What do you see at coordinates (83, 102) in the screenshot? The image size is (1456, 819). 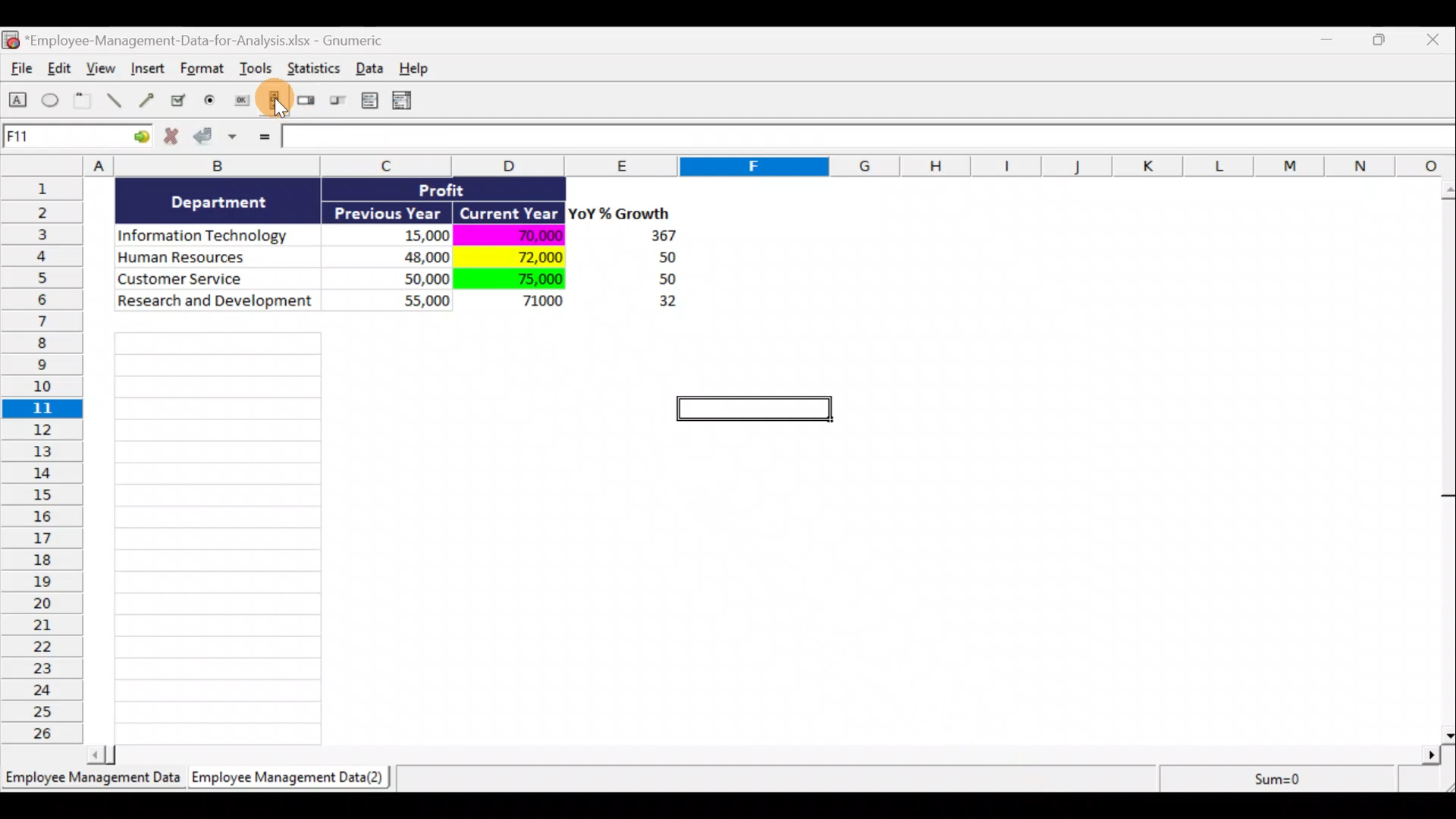 I see `Create a frame` at bounding box center [83, 102].